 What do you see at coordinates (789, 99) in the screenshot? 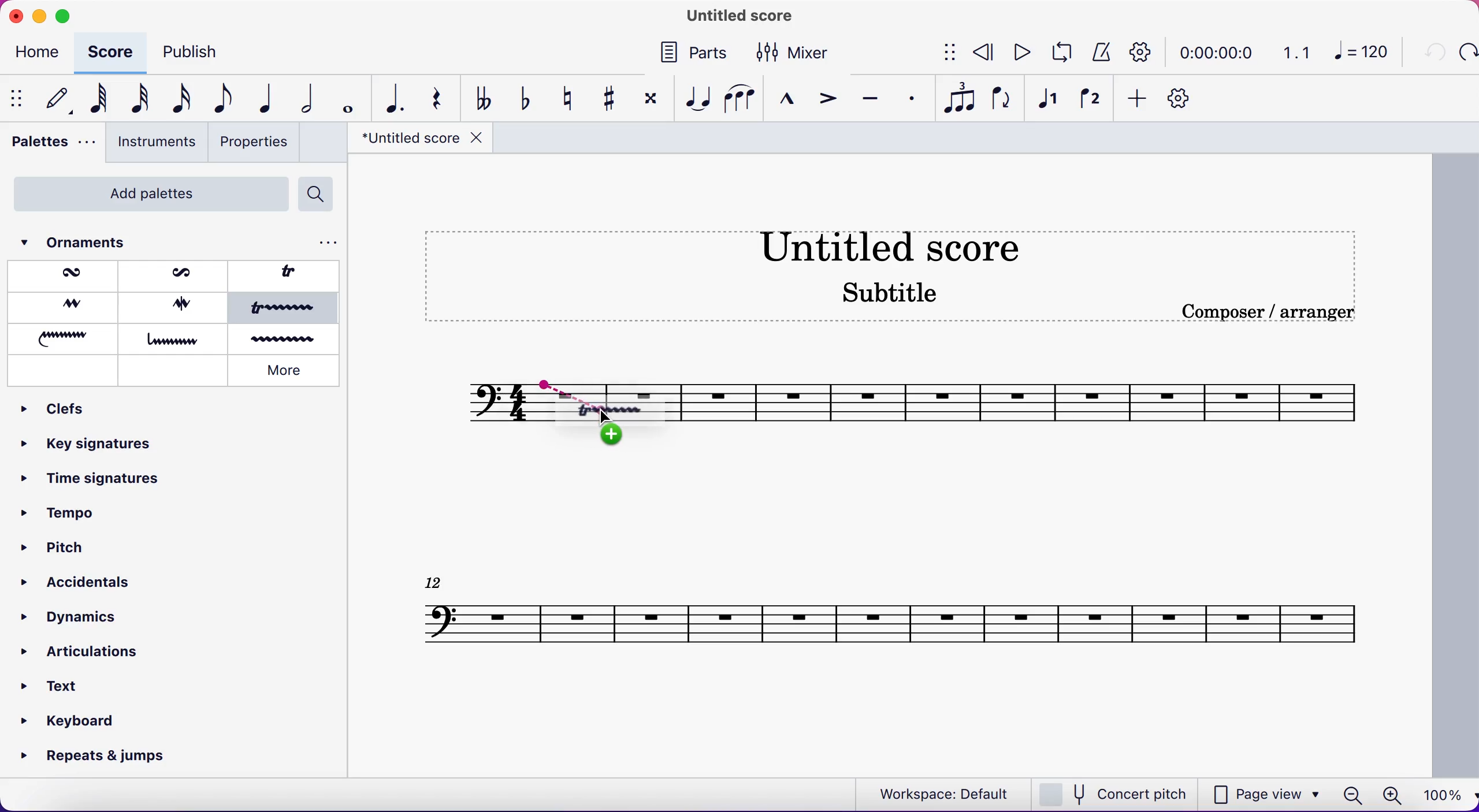
I see `marcato` at bounding box center [789, 99].